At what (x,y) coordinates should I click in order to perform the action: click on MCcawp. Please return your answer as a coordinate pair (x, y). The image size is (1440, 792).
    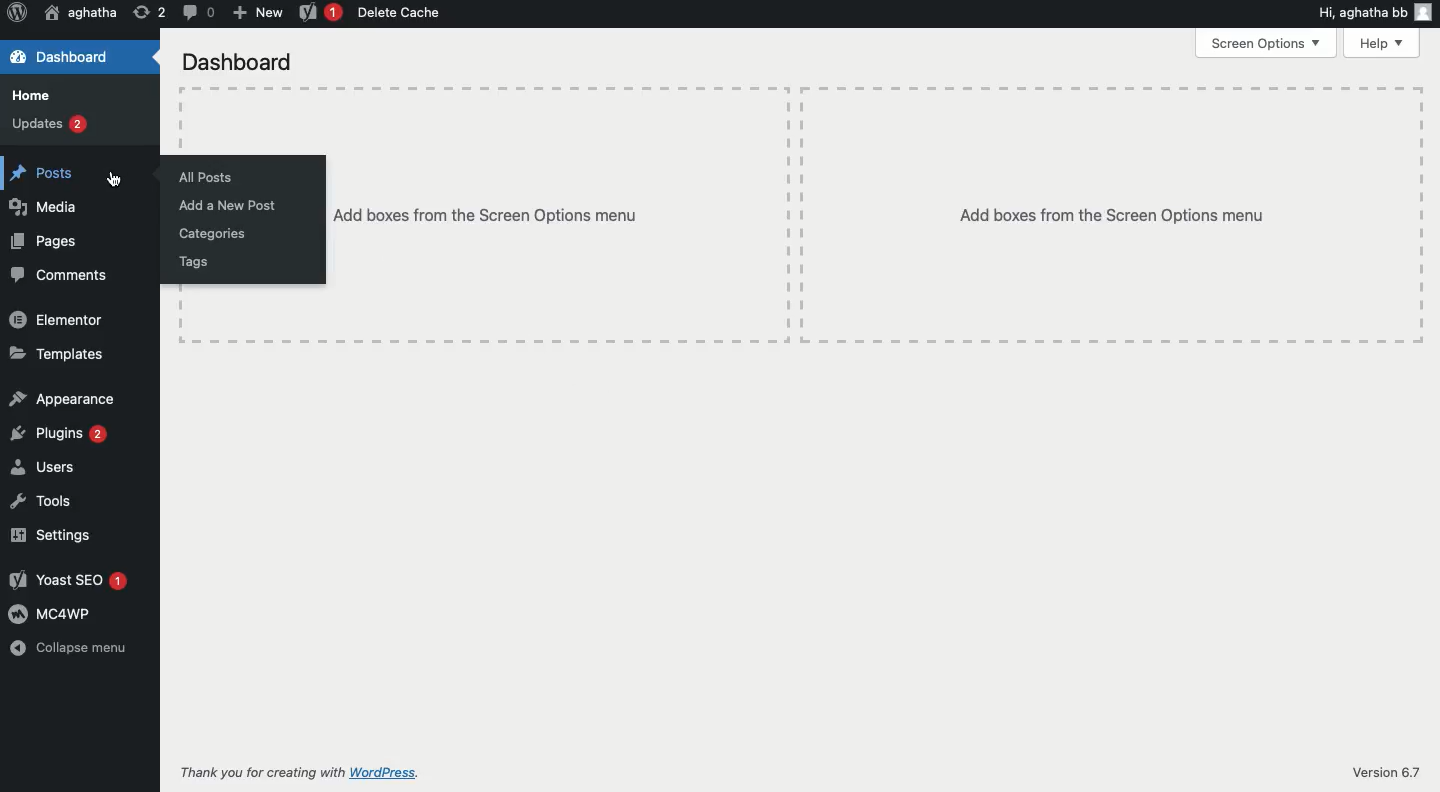
    Looking at the image, I should click on (50, 614).